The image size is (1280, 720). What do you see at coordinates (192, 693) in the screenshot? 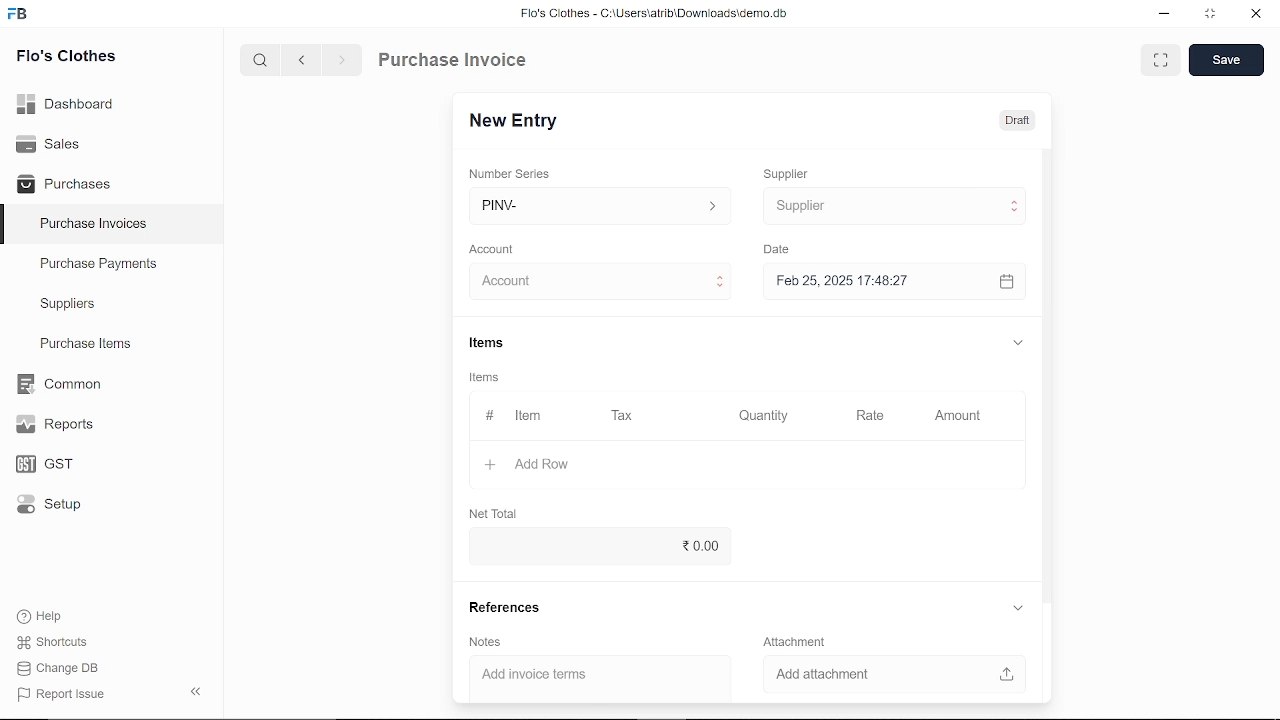
I see `hide` at bounding box center [192, 693].